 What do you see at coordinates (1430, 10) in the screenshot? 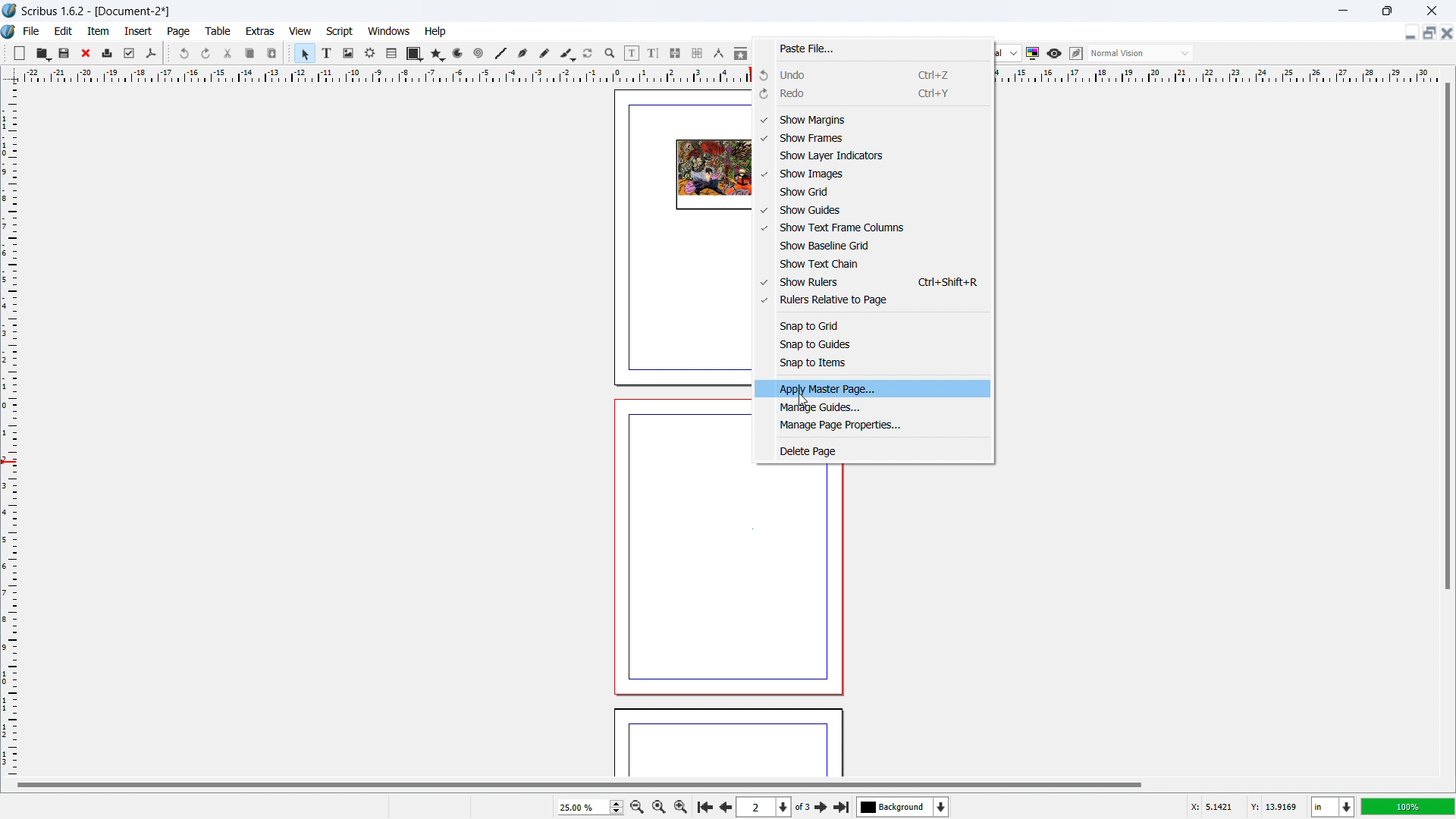
I see `close window` at bounding box center [1430, 10].